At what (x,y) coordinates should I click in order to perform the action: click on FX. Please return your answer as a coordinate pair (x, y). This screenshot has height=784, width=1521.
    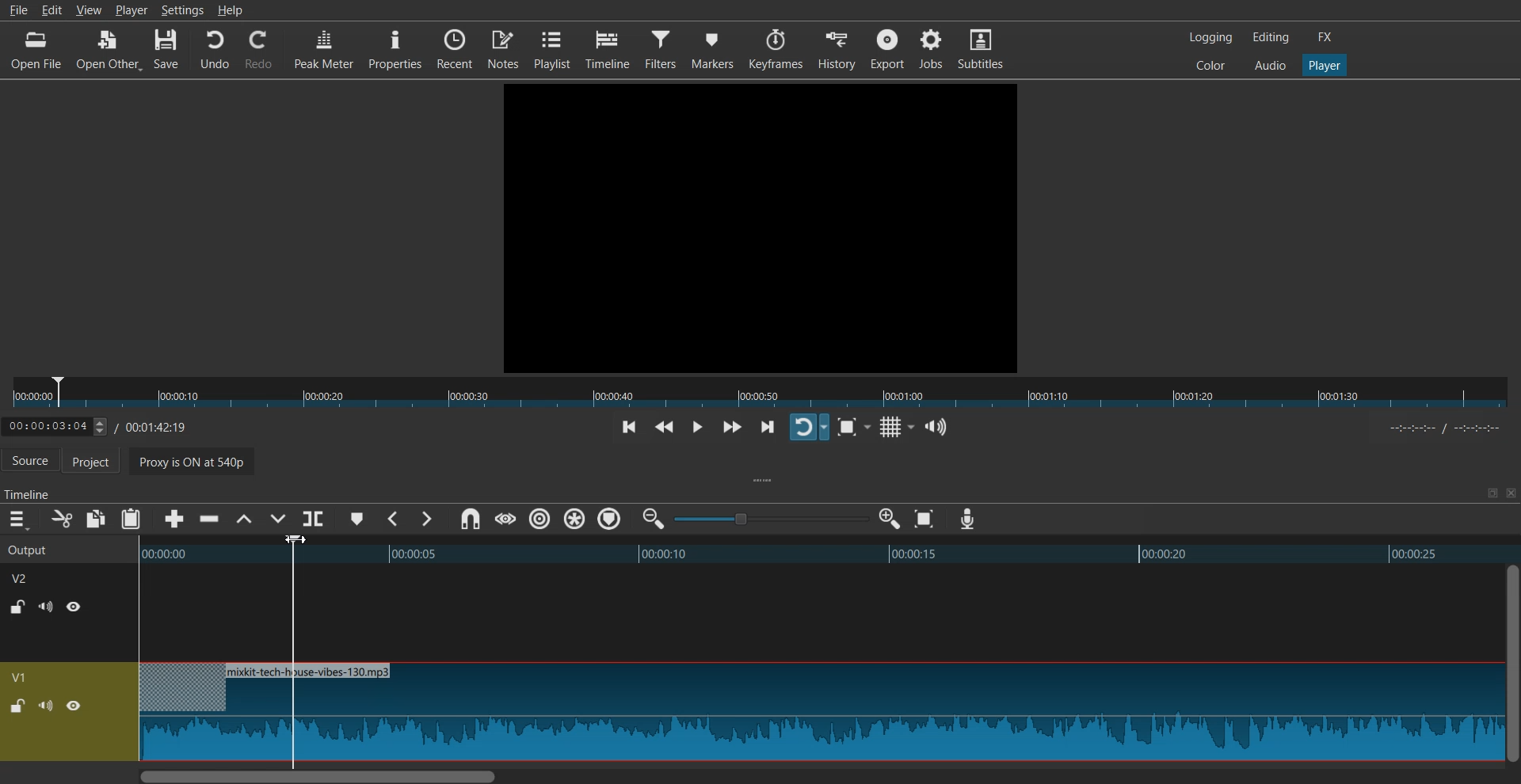
    Looking at the image, I should click on (1325, 37).